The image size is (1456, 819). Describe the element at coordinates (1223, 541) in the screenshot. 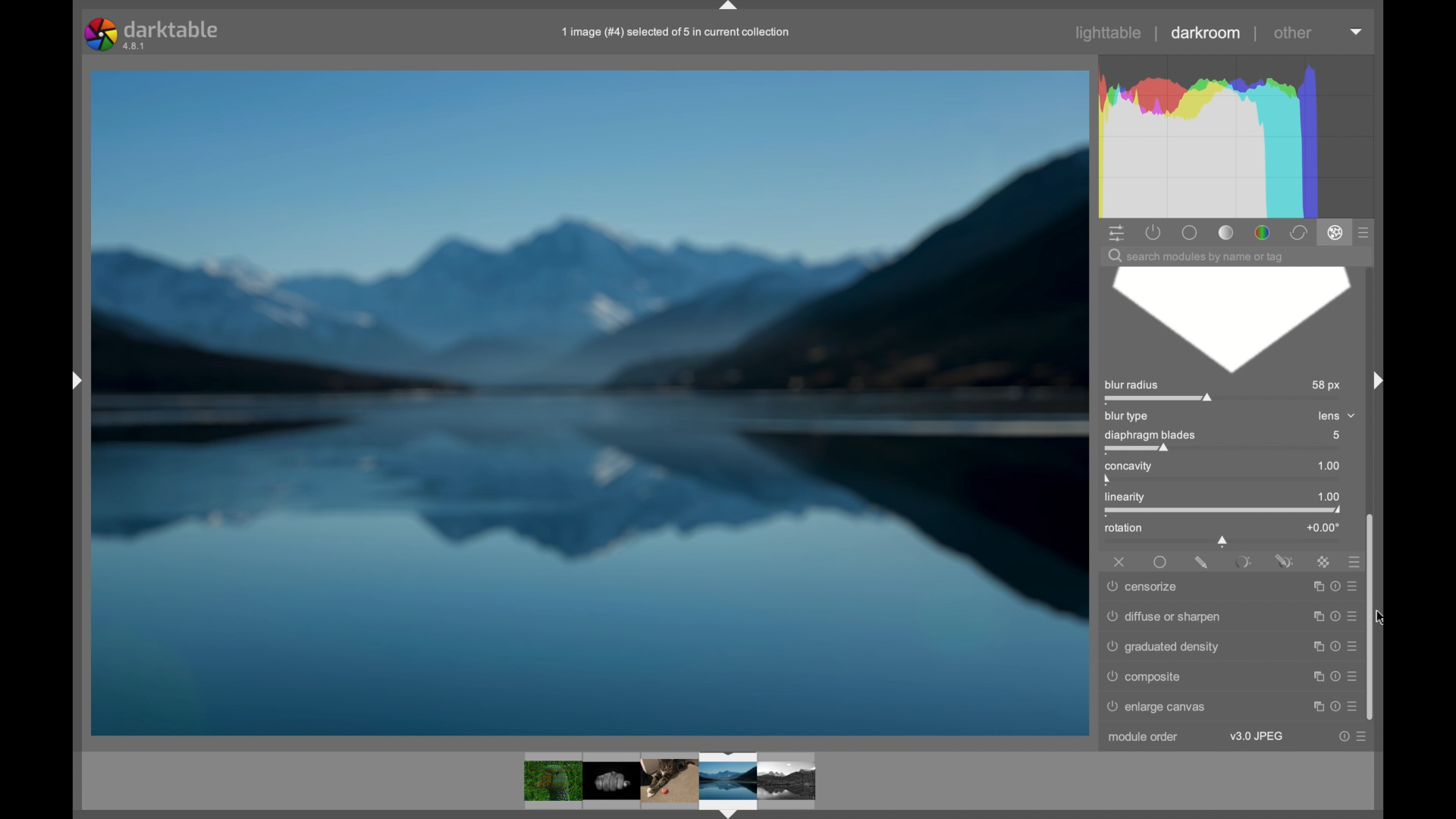

I see `slider` at that location.